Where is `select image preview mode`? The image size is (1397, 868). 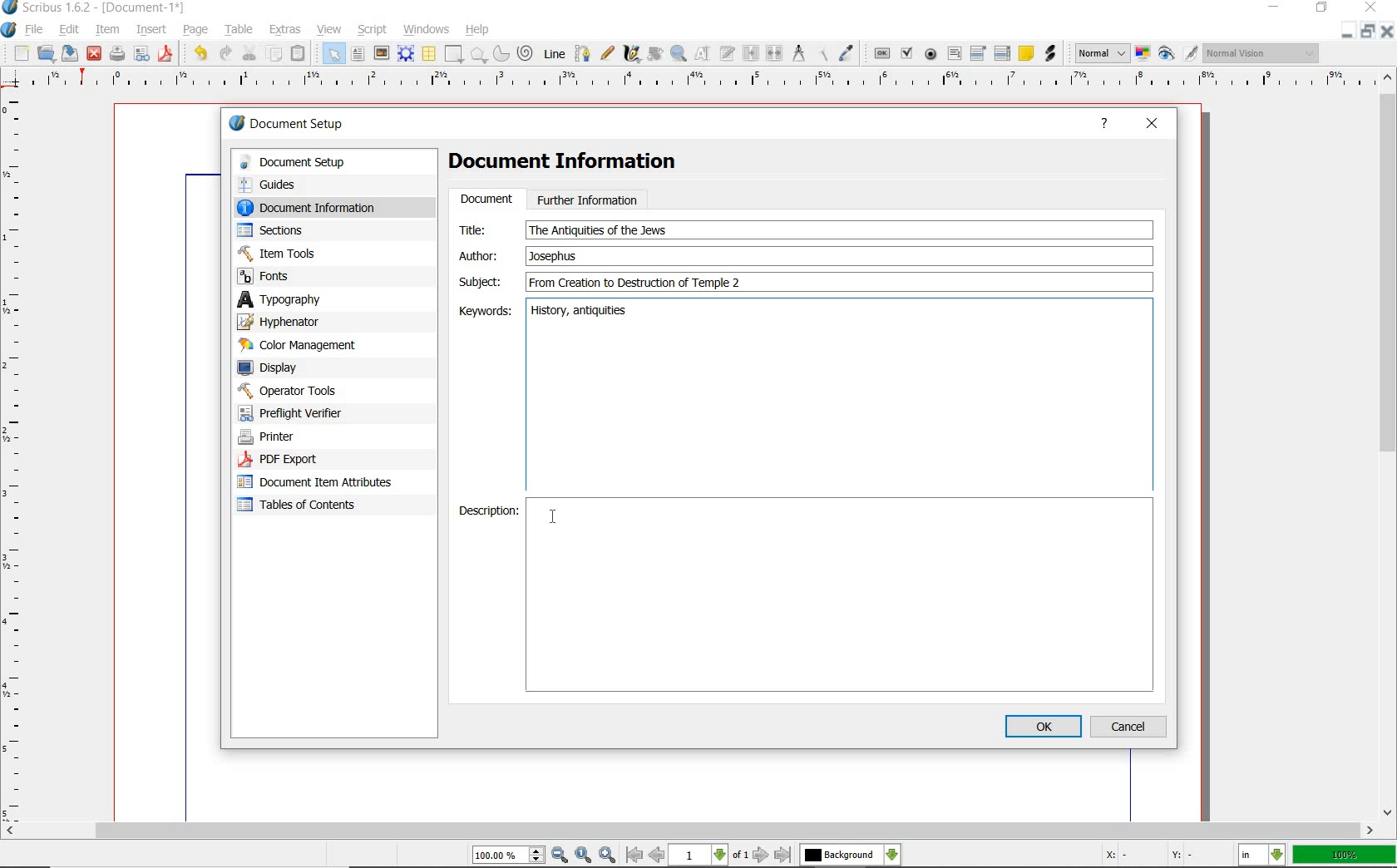
select image preview mode is located at coordinates (1102, 54).